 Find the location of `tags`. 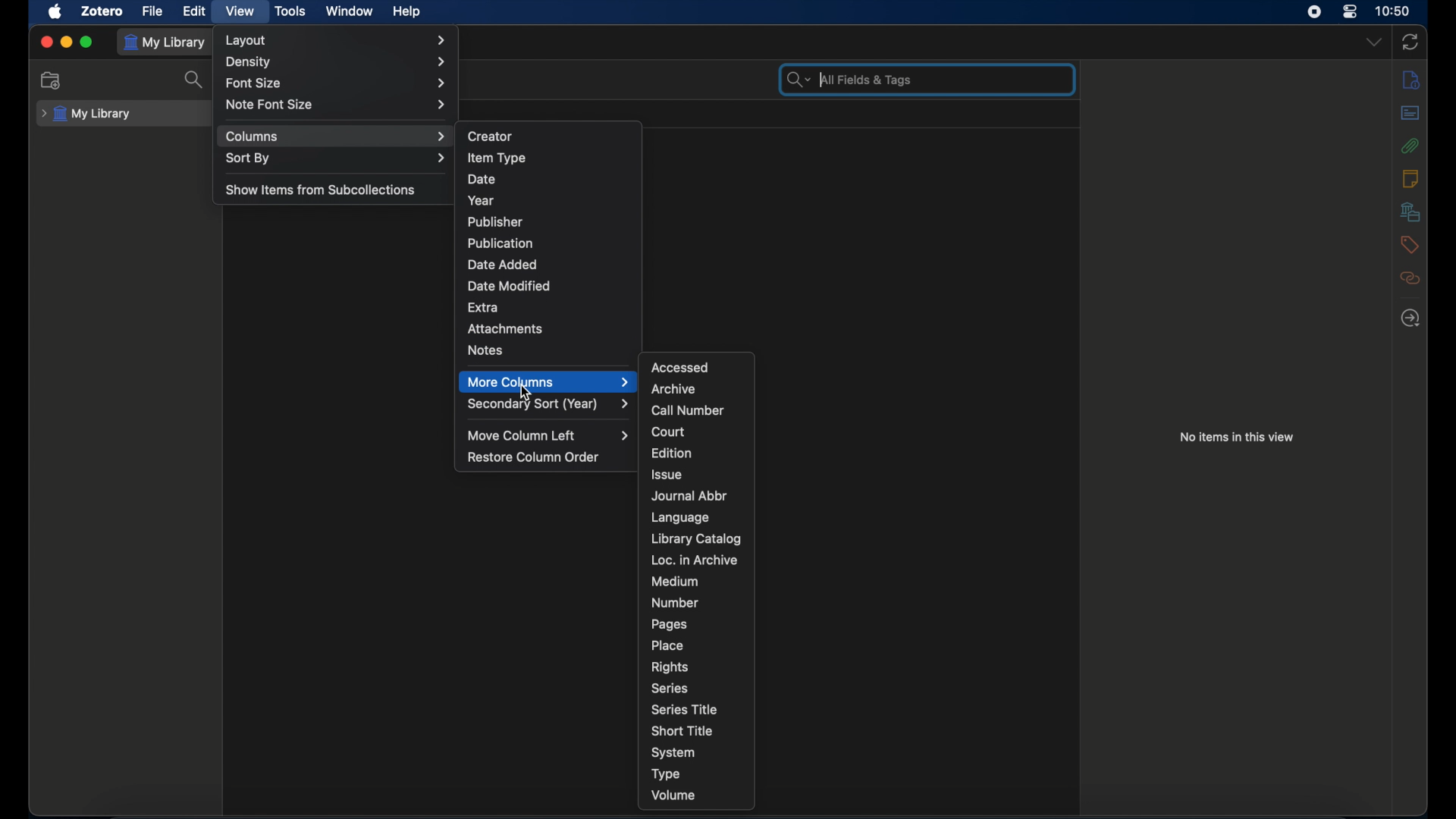

tags is located at coordinates (1409, 245).